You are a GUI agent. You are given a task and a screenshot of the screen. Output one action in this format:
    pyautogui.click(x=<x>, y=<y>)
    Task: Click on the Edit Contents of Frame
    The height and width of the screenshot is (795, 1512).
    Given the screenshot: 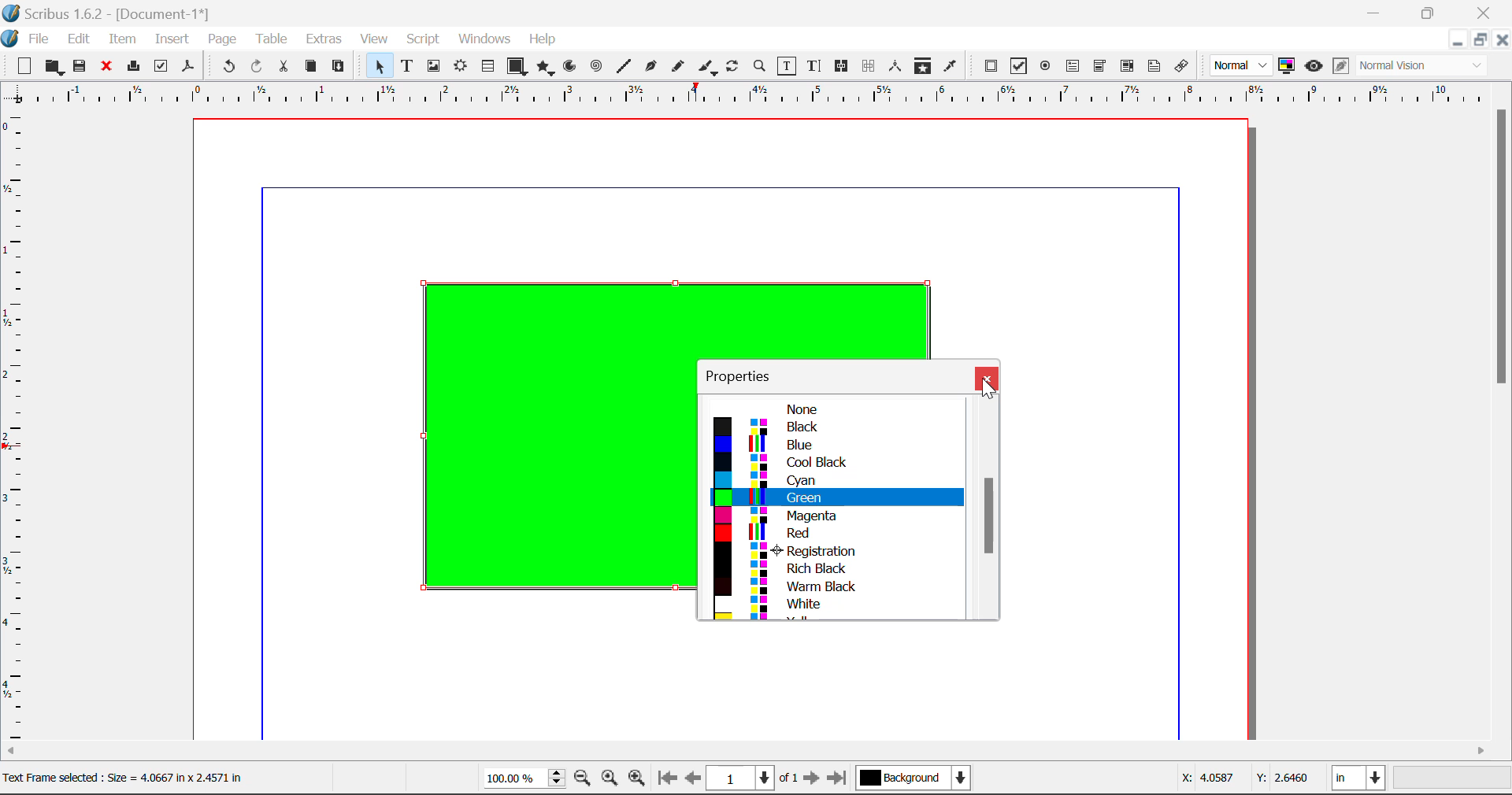 What is the action you would take?
    pyautogui.click(x=787, y=65)
    